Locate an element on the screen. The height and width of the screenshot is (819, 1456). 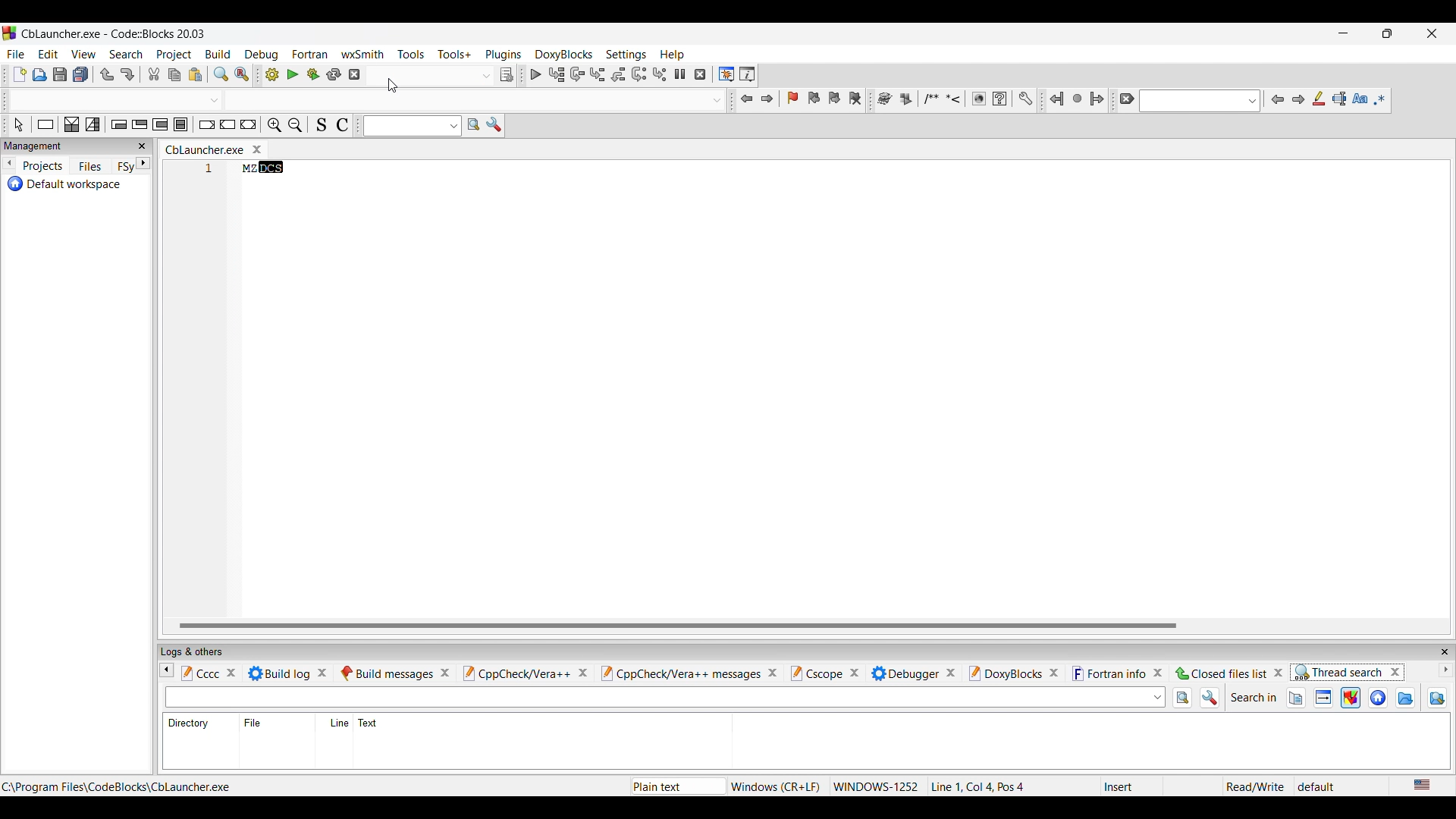
Tools+ menu is located at coordinates (454, 54).